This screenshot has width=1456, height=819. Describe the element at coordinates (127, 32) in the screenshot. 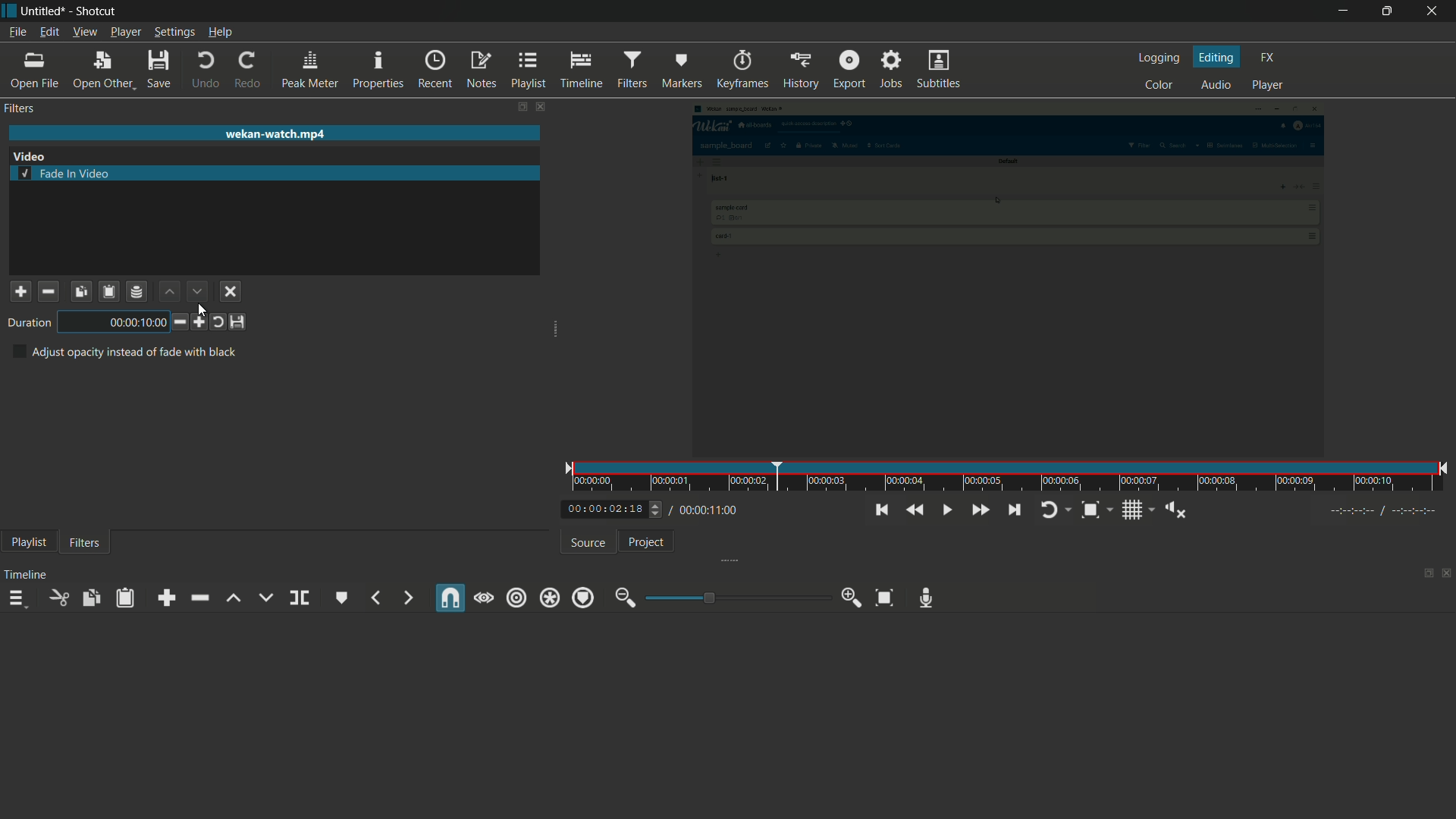

I see `player menu` at that location.